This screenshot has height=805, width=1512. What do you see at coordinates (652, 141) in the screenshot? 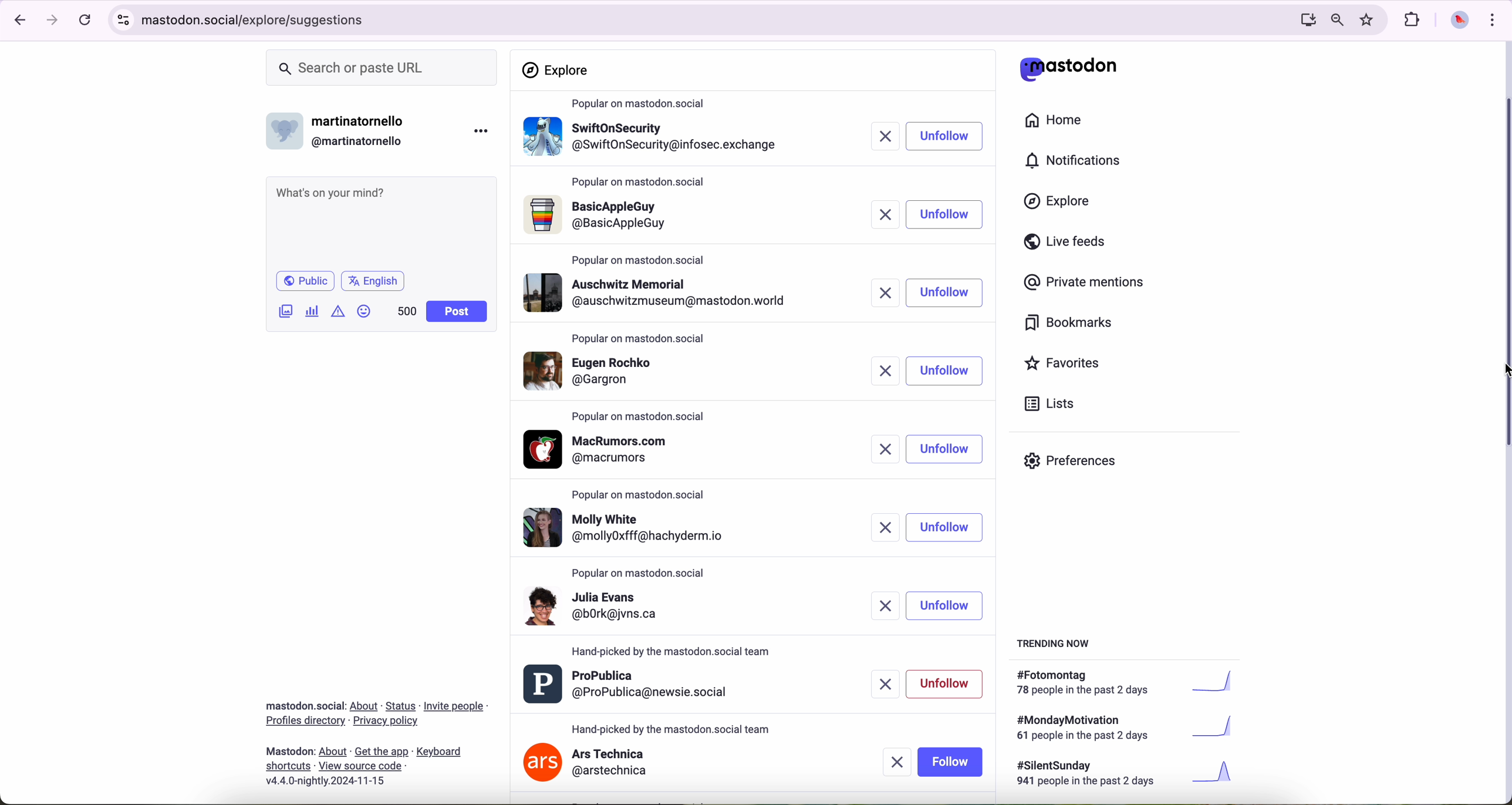
I see `profile` at bounding box center [652, 141].